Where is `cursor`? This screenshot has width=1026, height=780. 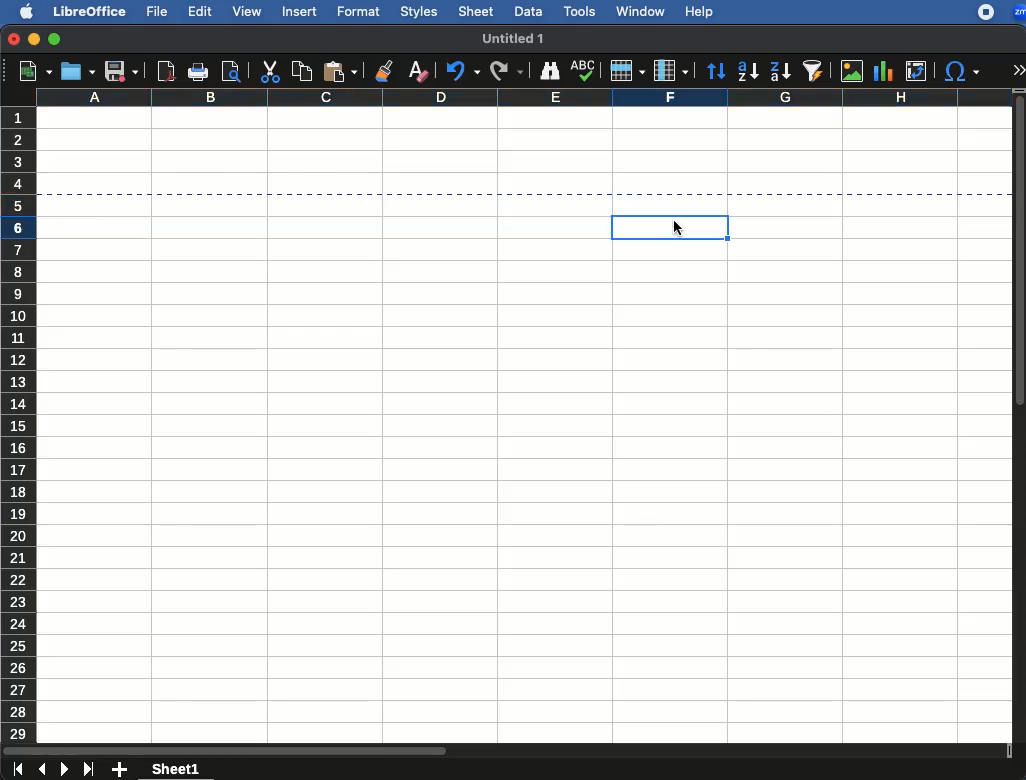
cursor is located at coordinates (682, 230).